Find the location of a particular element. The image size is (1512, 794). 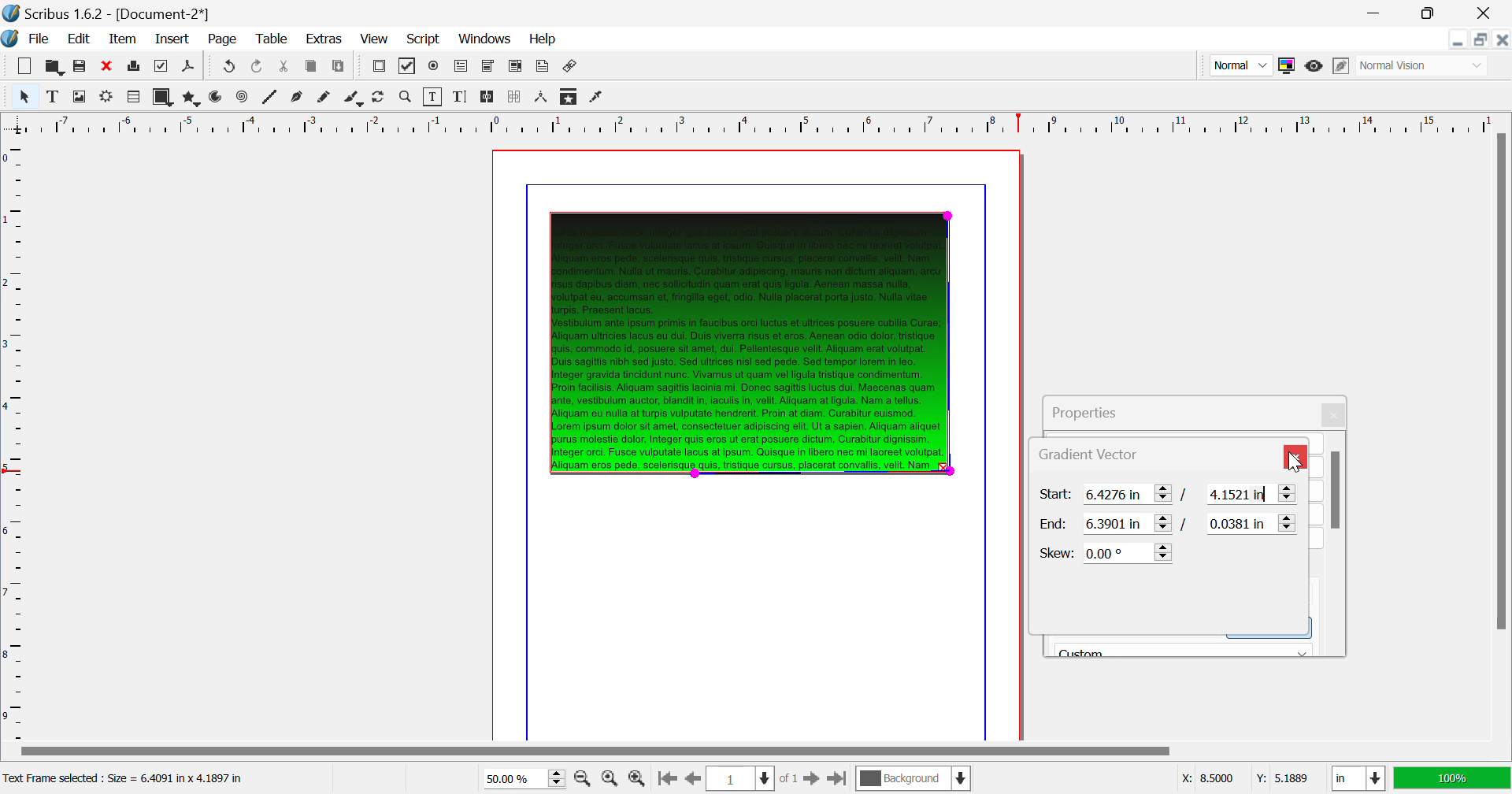

Toggle Color Management is located at coordinates (1286, 65).